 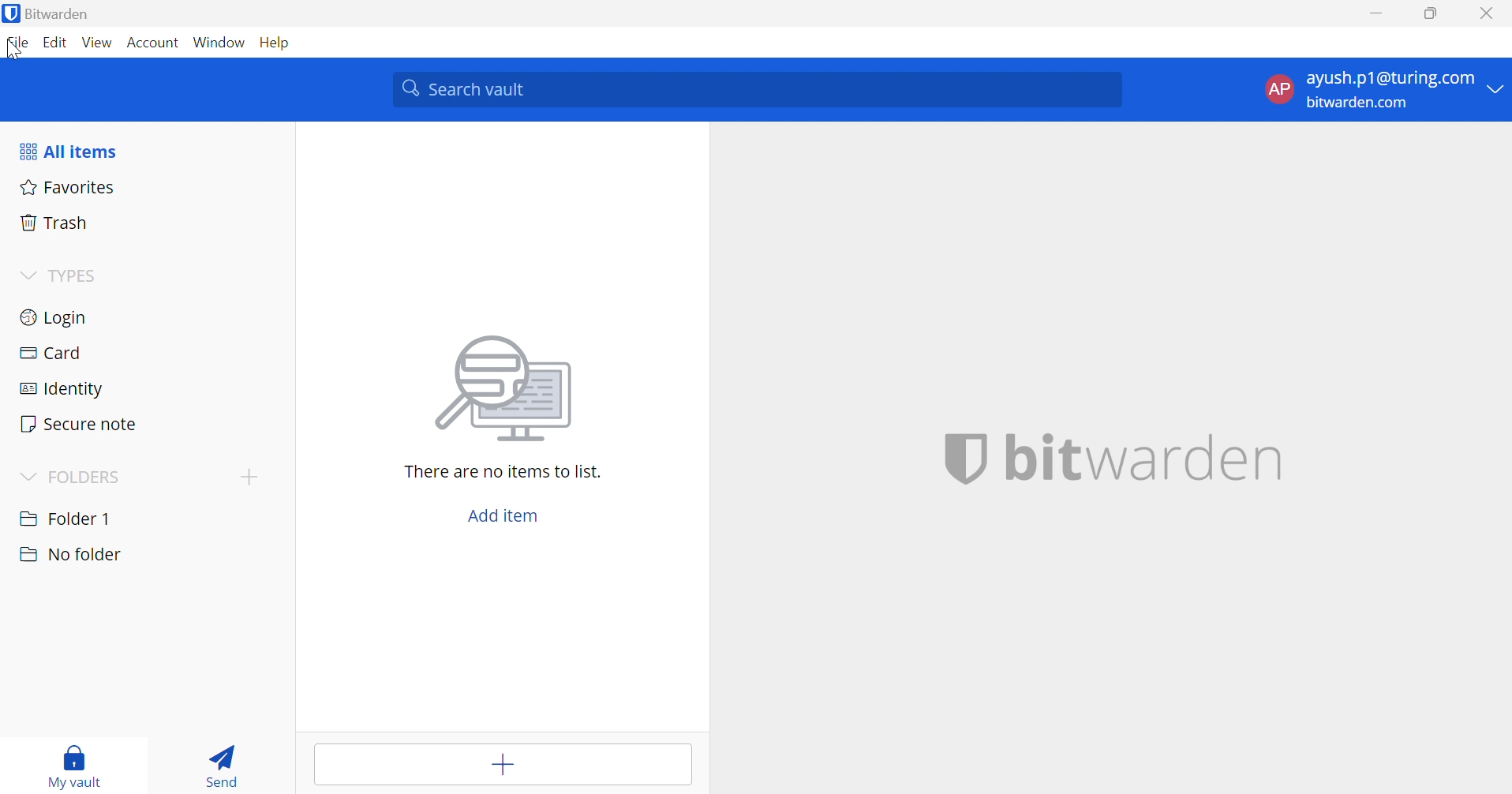 What do you see at coordinates (1390, 81) in the screenshot?
I see `ayush.p1@turing.com` at bounding box center [1390, 81].